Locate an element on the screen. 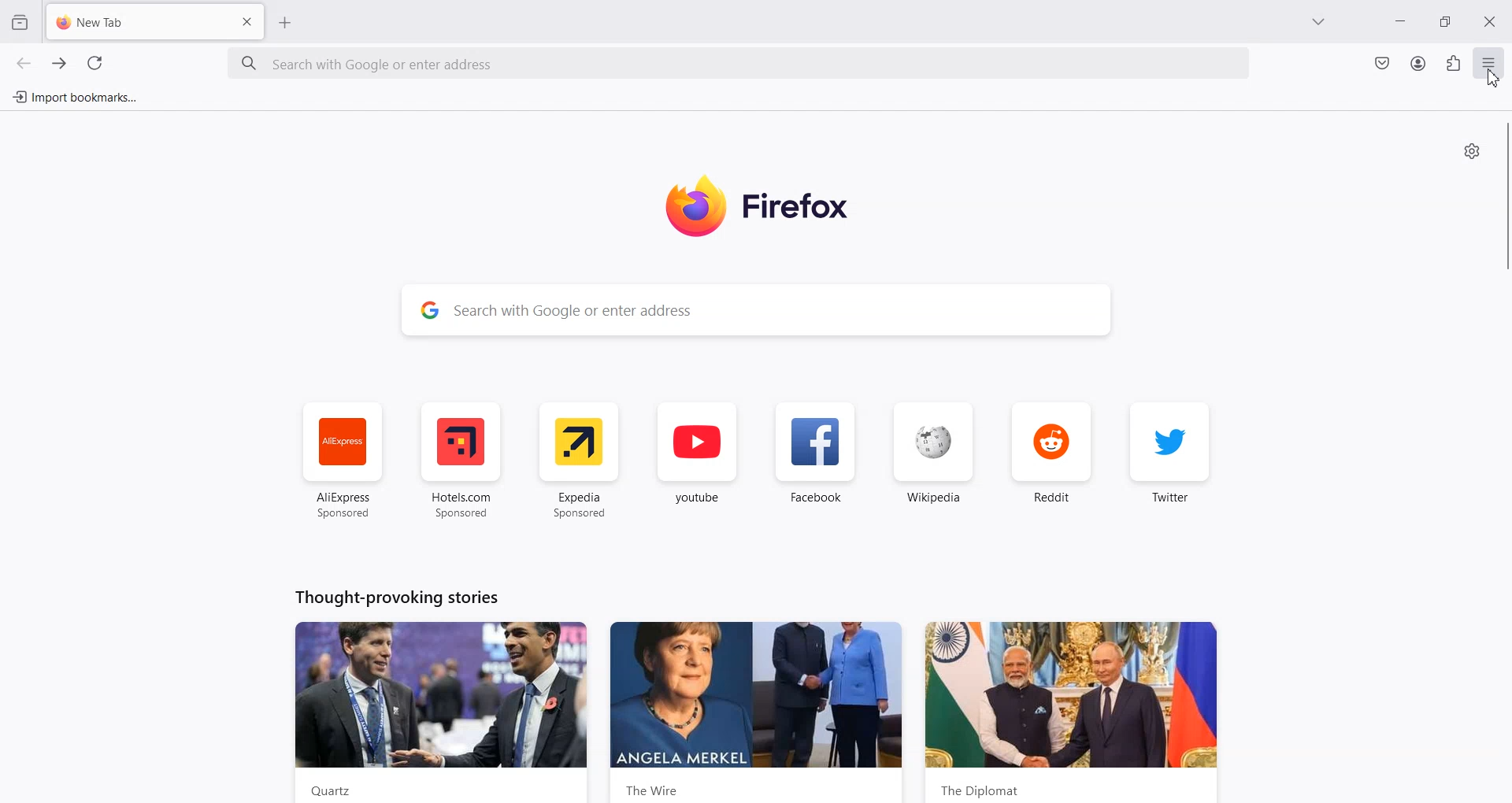  Minimize is located at coordinates (1400, 21).